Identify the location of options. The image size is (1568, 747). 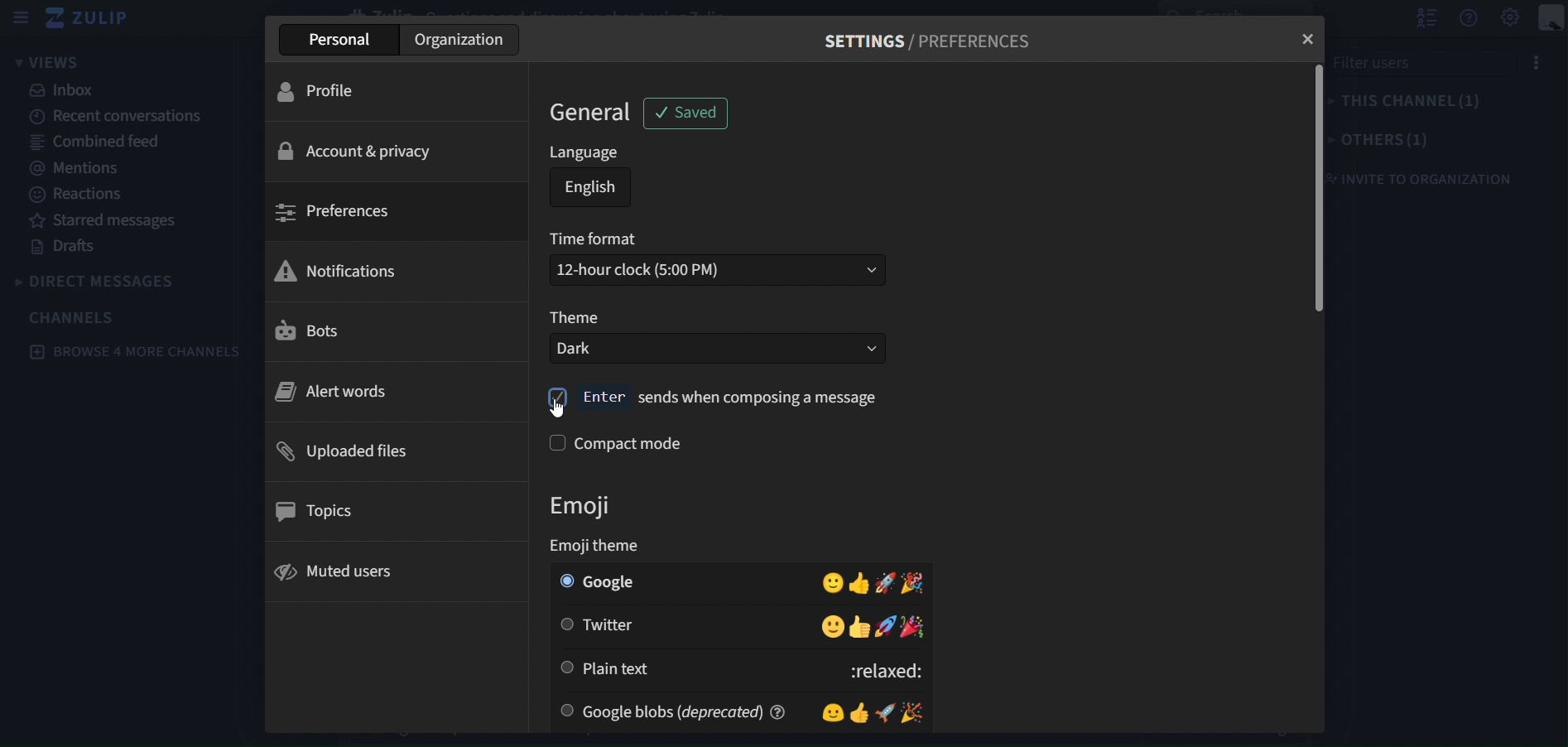
(1546, 62).